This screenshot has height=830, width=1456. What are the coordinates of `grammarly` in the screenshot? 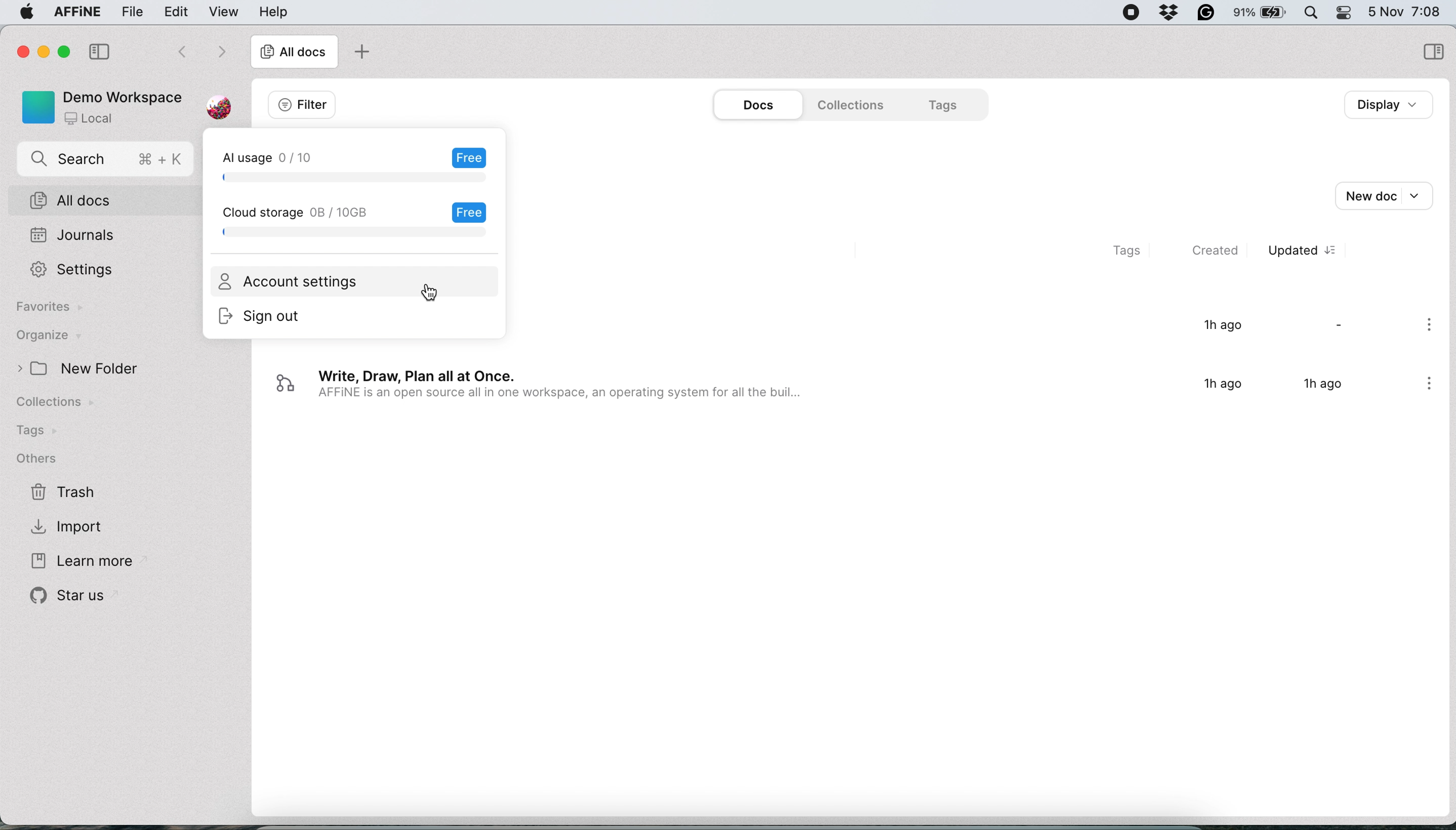 It's located at (1207, 13).